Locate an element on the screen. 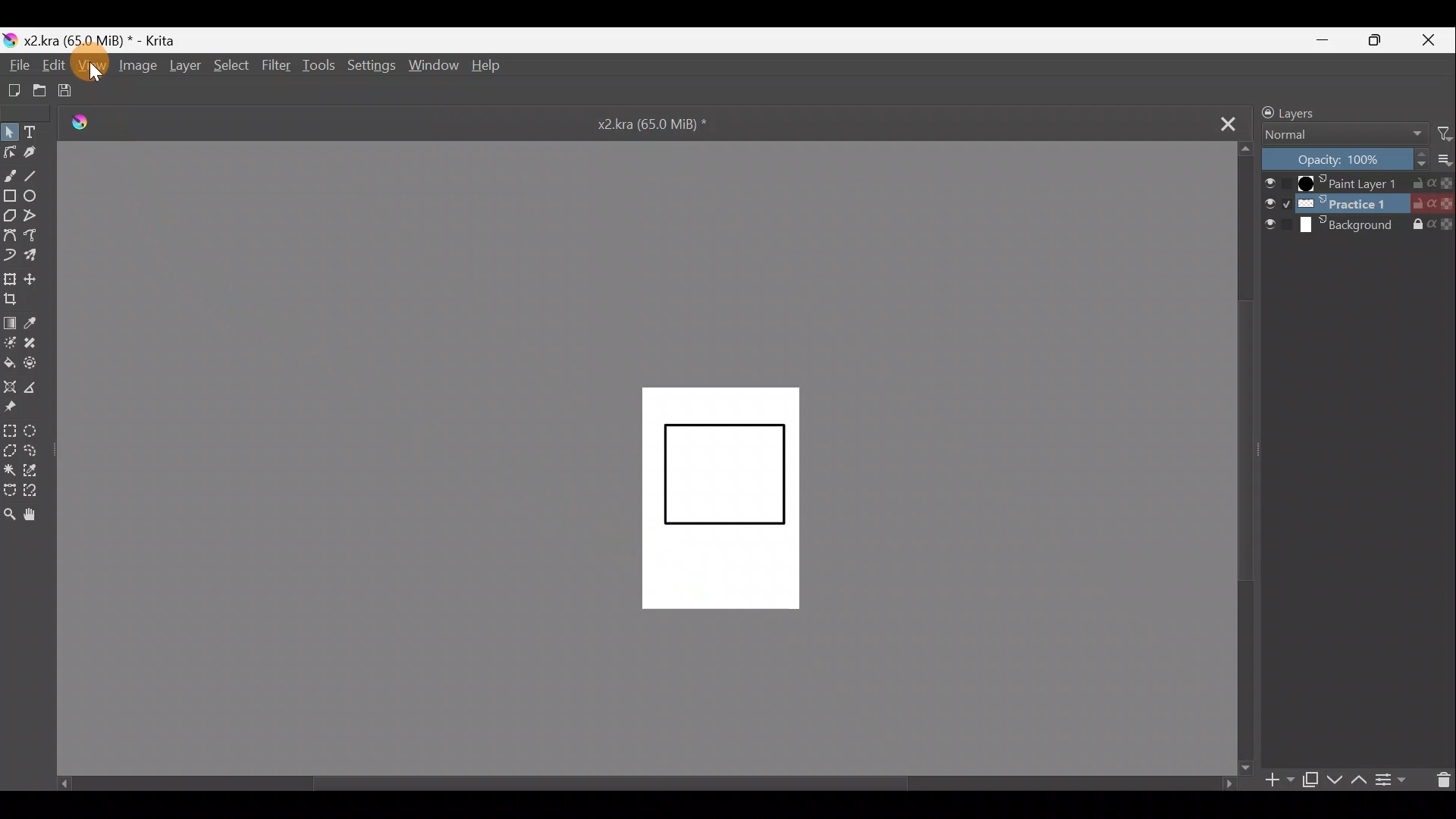 The height and width of the screenshot is (819, 1456). Opacity: 100% is located at coordinates (1343, 158).